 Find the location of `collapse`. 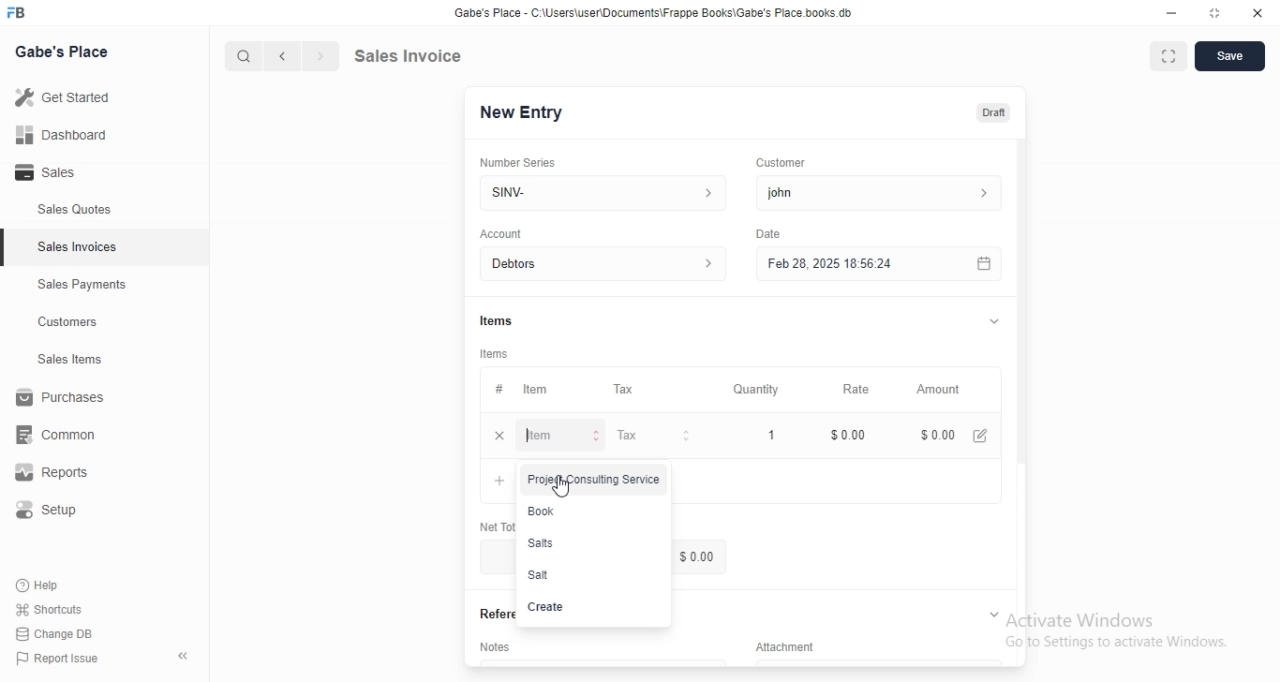

collapse is located at coordinates (991, 321).